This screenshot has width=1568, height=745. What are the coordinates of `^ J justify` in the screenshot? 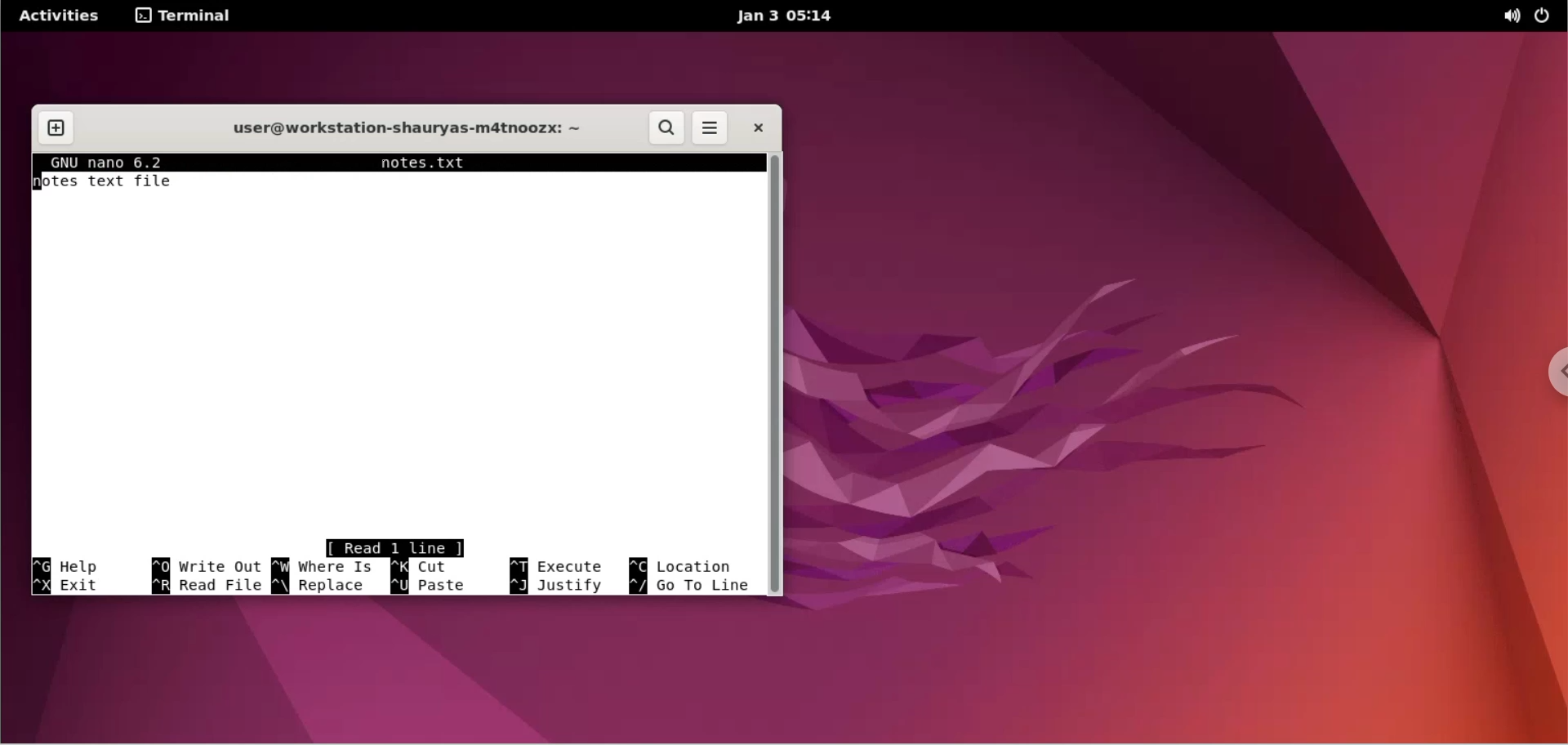 It's located at (566, 587).